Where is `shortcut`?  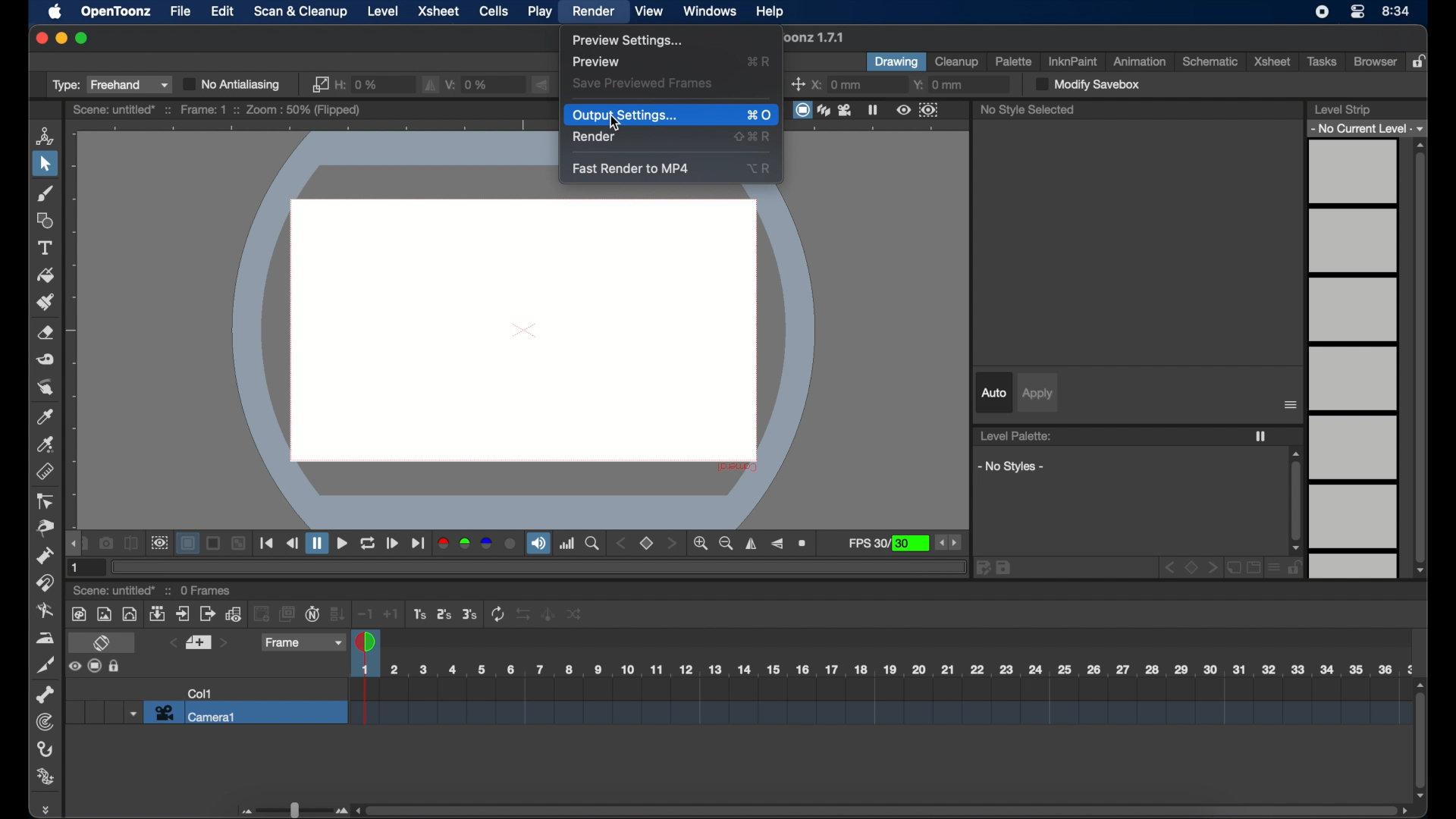 shortcut is located at coordinates (758, 61).